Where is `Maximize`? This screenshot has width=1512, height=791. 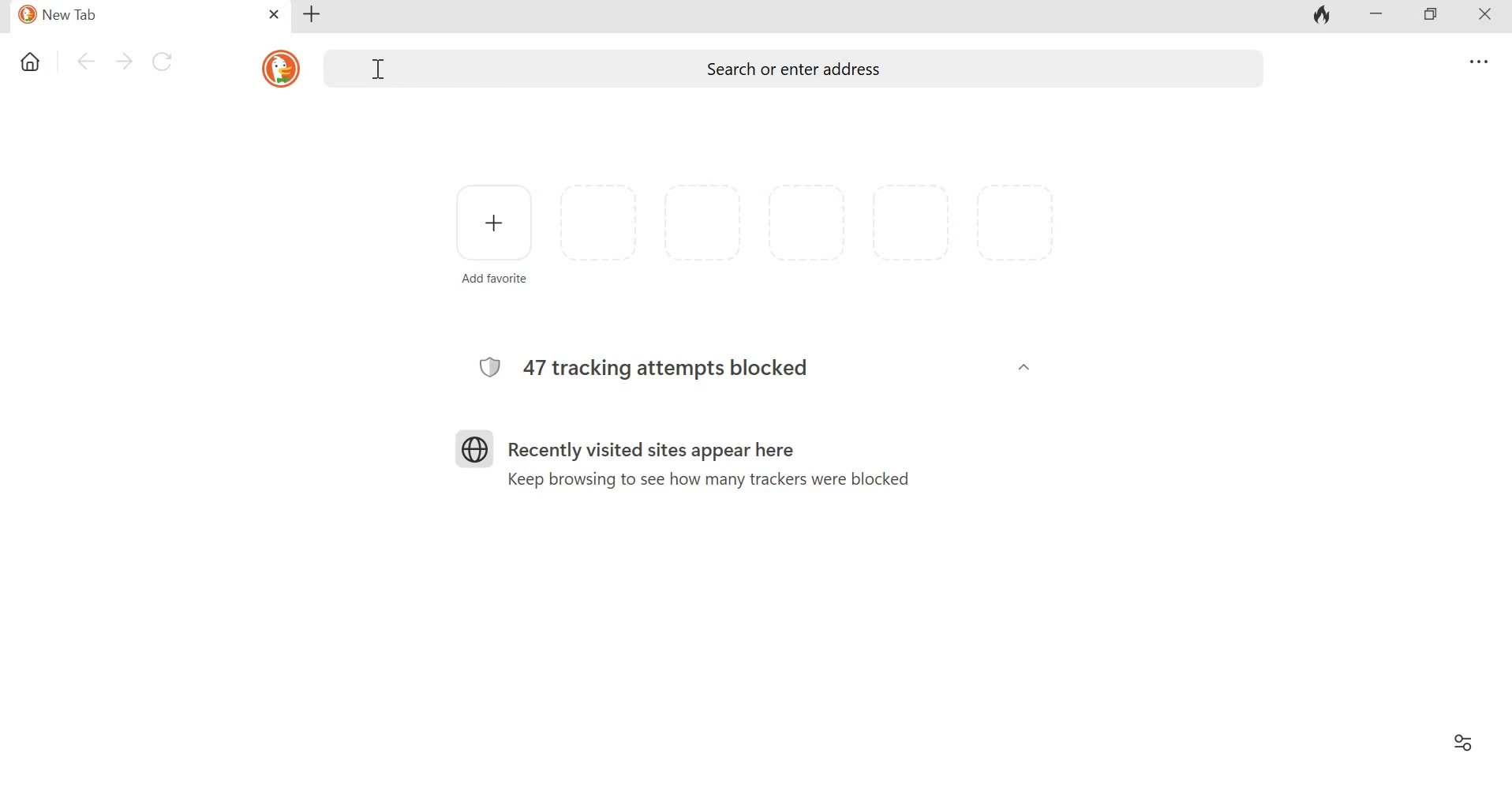 Maximize is located at coordinates (1431, 16).